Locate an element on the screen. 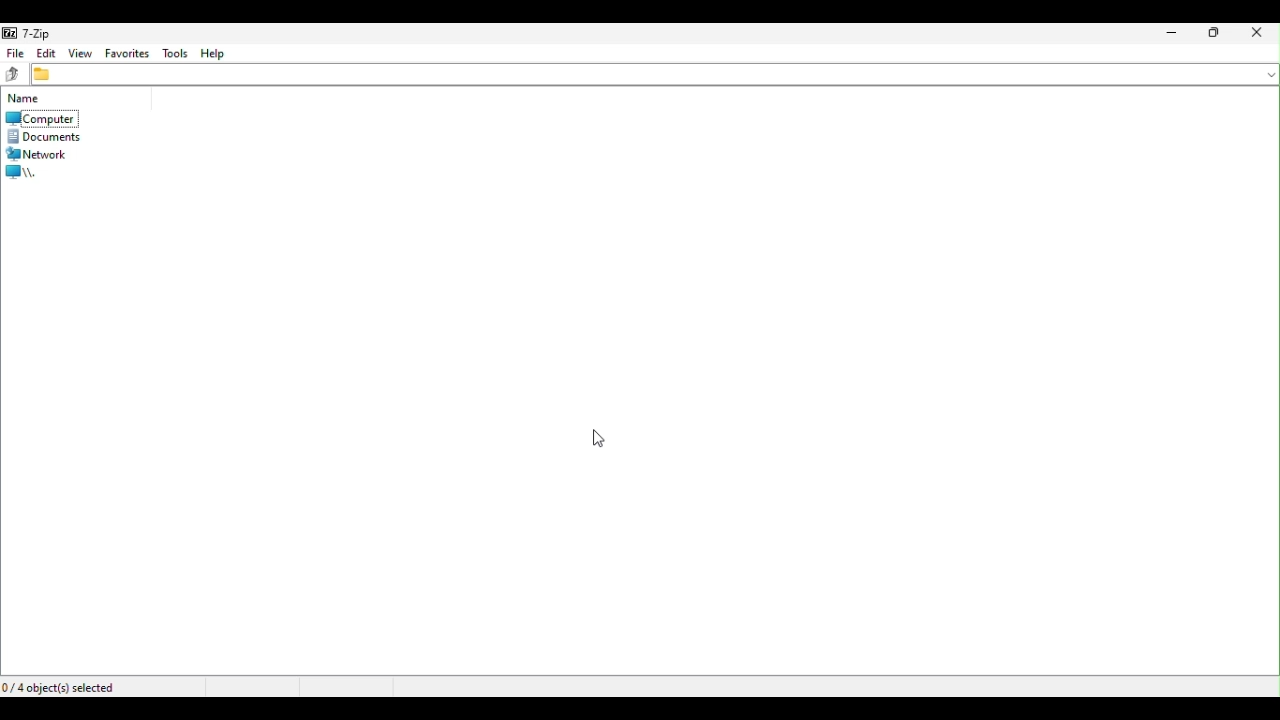  root is located at coordinates (33, 173).